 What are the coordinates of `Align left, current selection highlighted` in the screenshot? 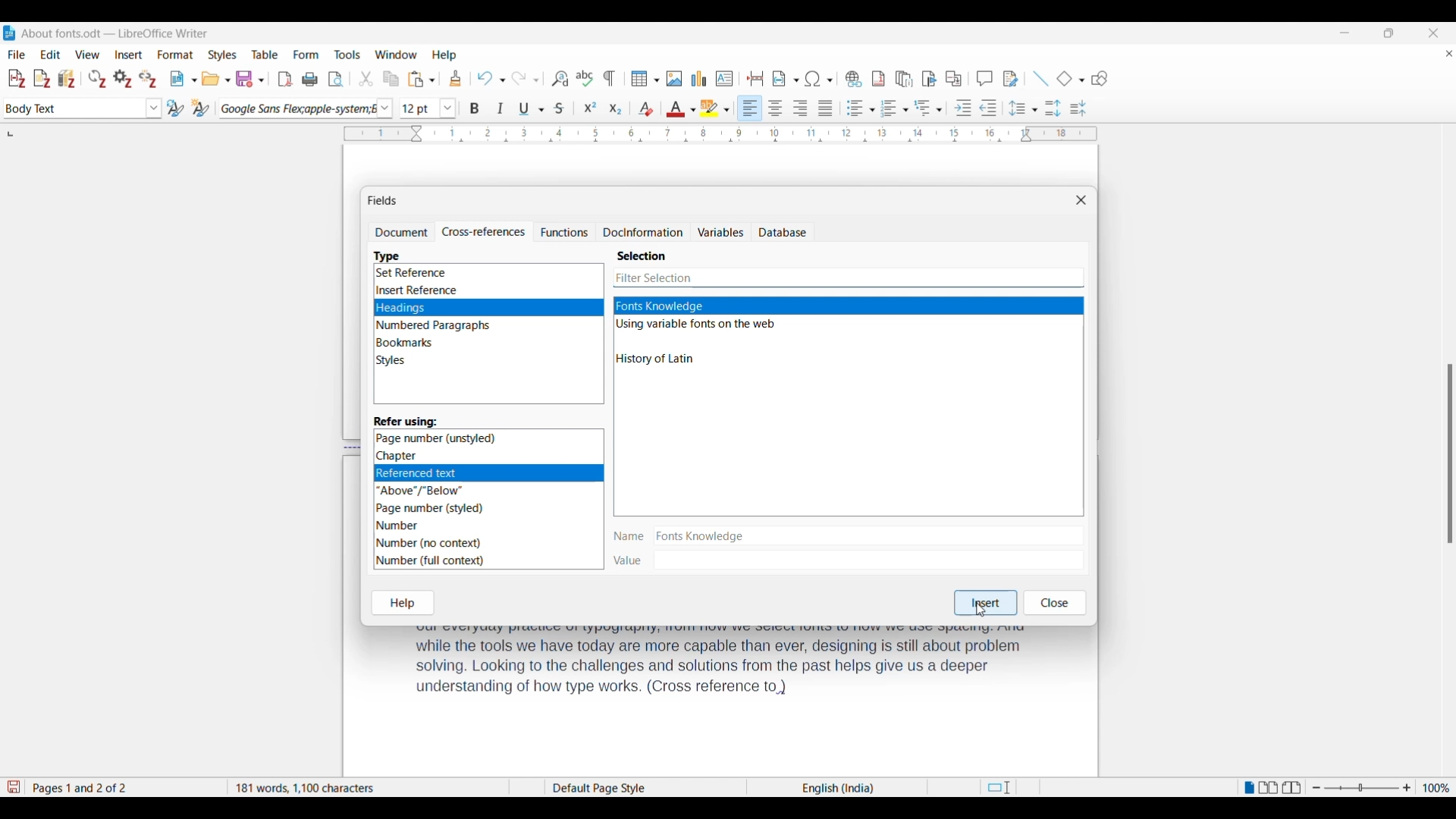 It's located at (750, 108).